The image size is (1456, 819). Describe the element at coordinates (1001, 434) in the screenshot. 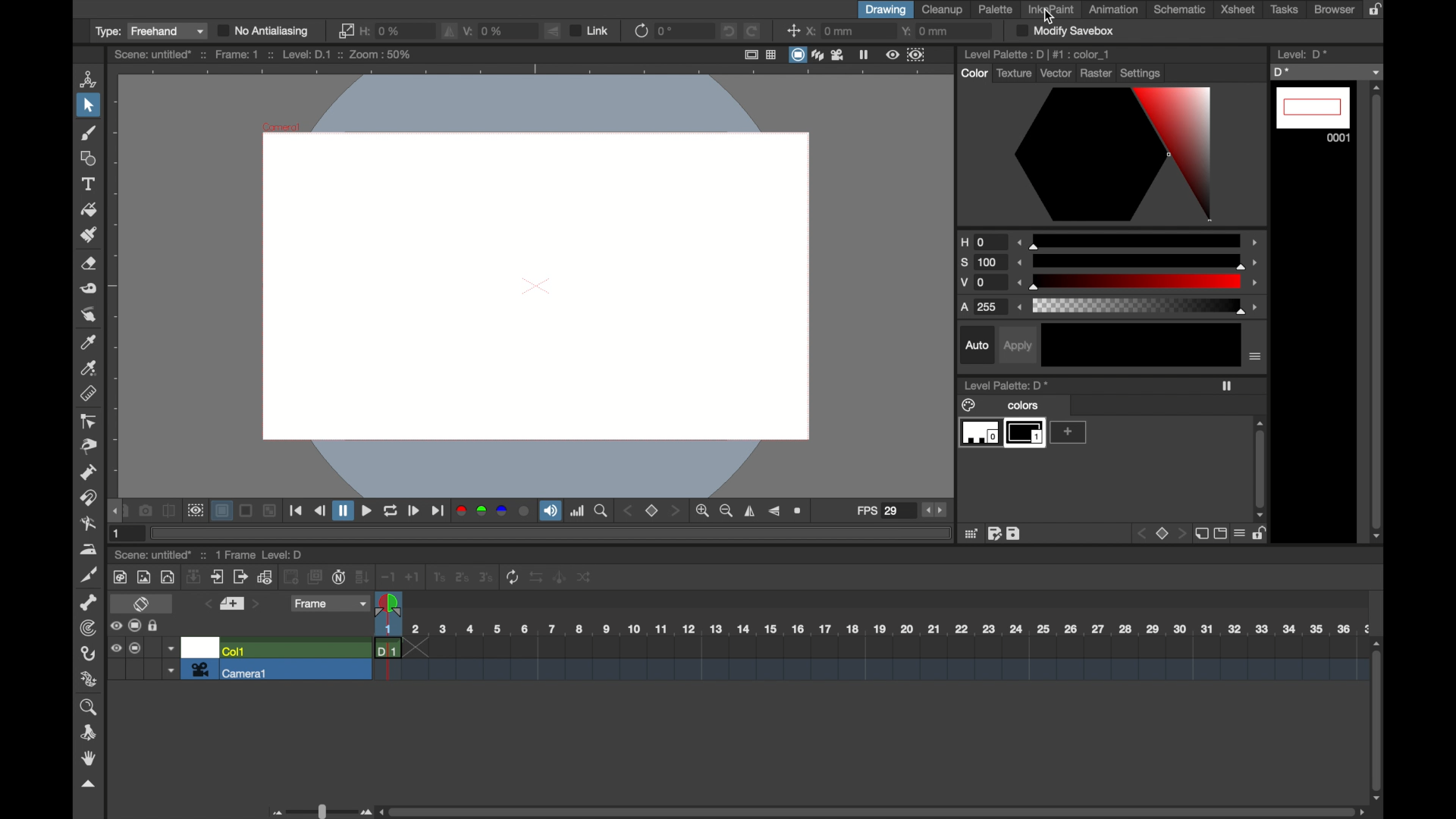

I see `level 0 and 1` at that location.